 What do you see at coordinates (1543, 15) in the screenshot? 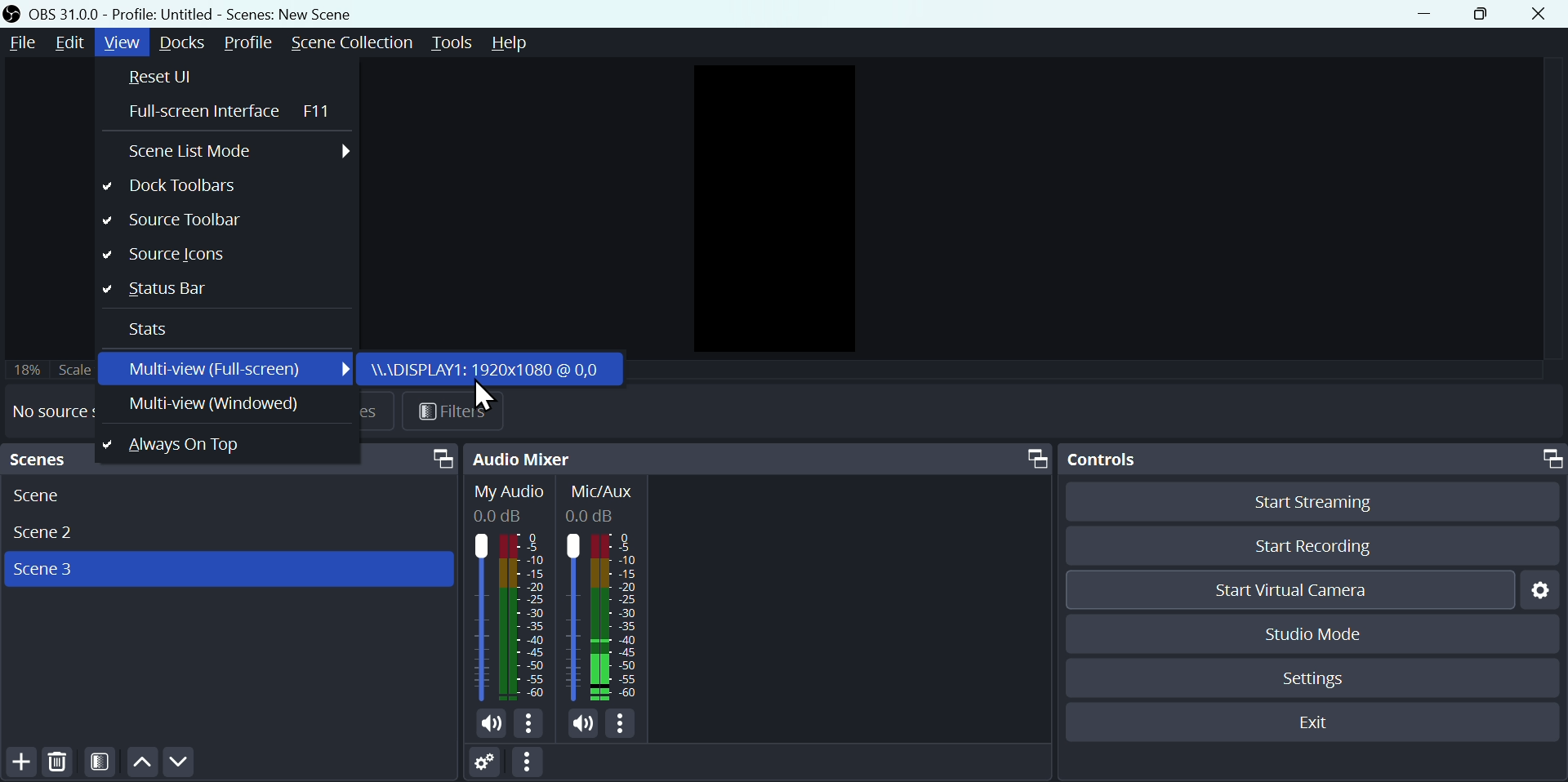
I see `Close` at bounding box center [1543, 15].